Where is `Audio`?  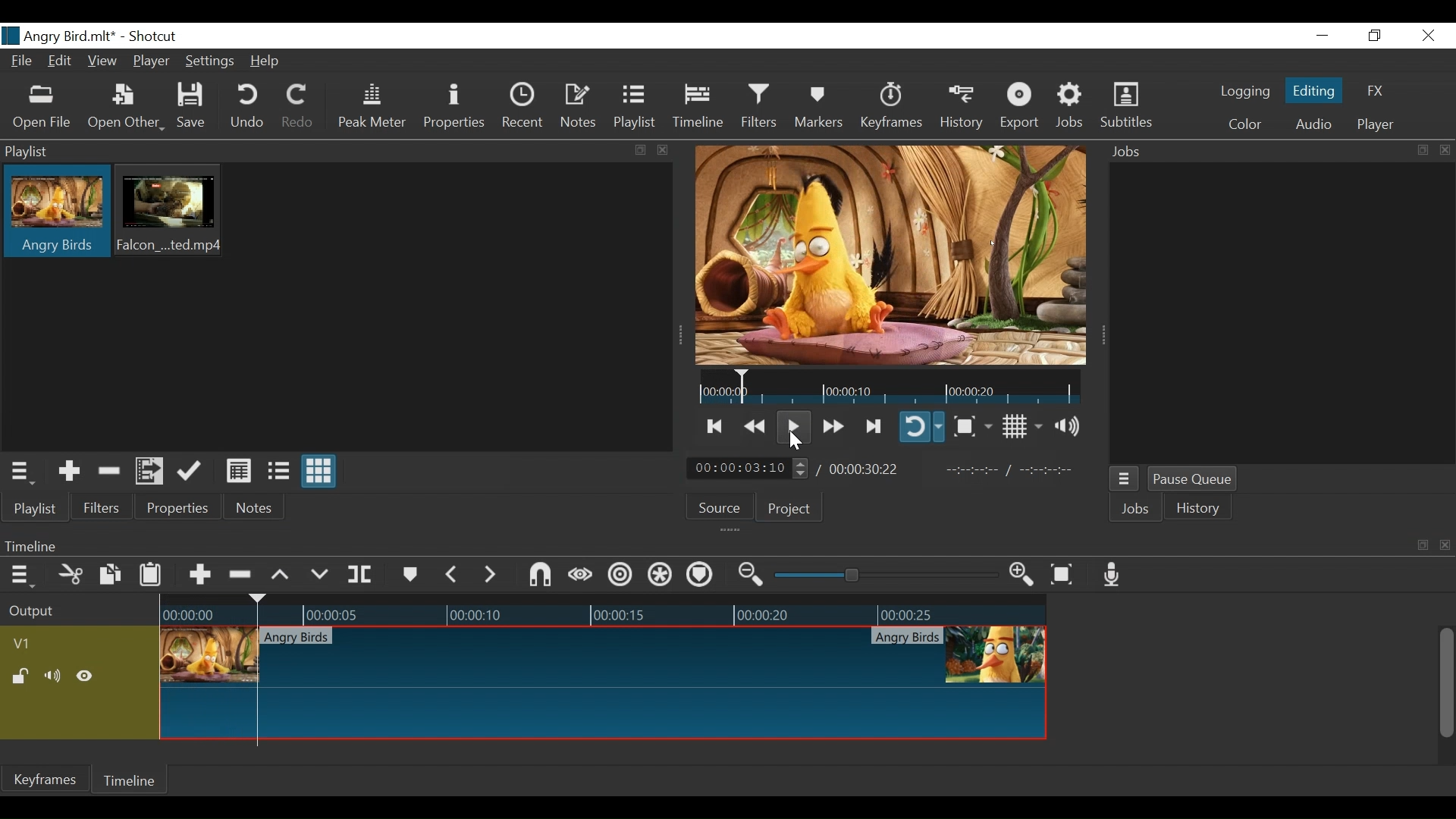
Audio is located at coordinates (1313, 124).